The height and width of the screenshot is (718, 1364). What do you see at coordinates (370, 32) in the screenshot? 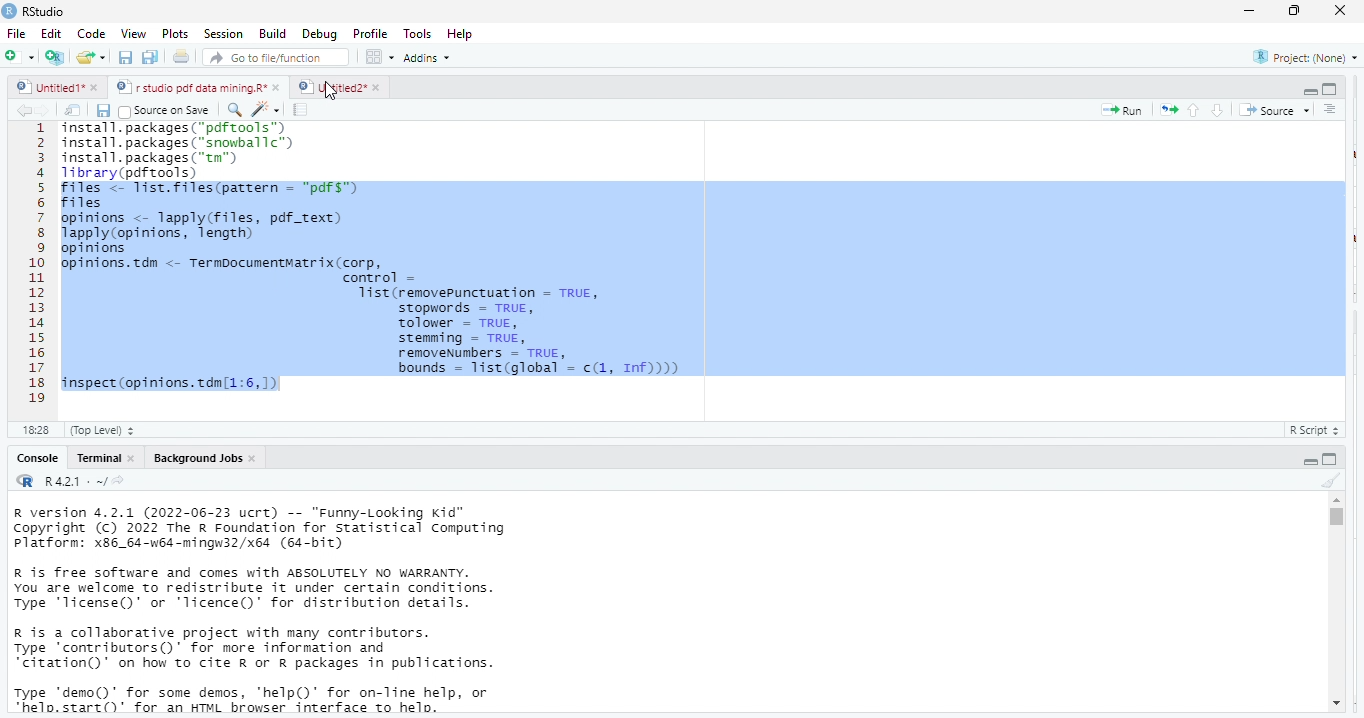
I see `profile` at bounding box center [370, 32].